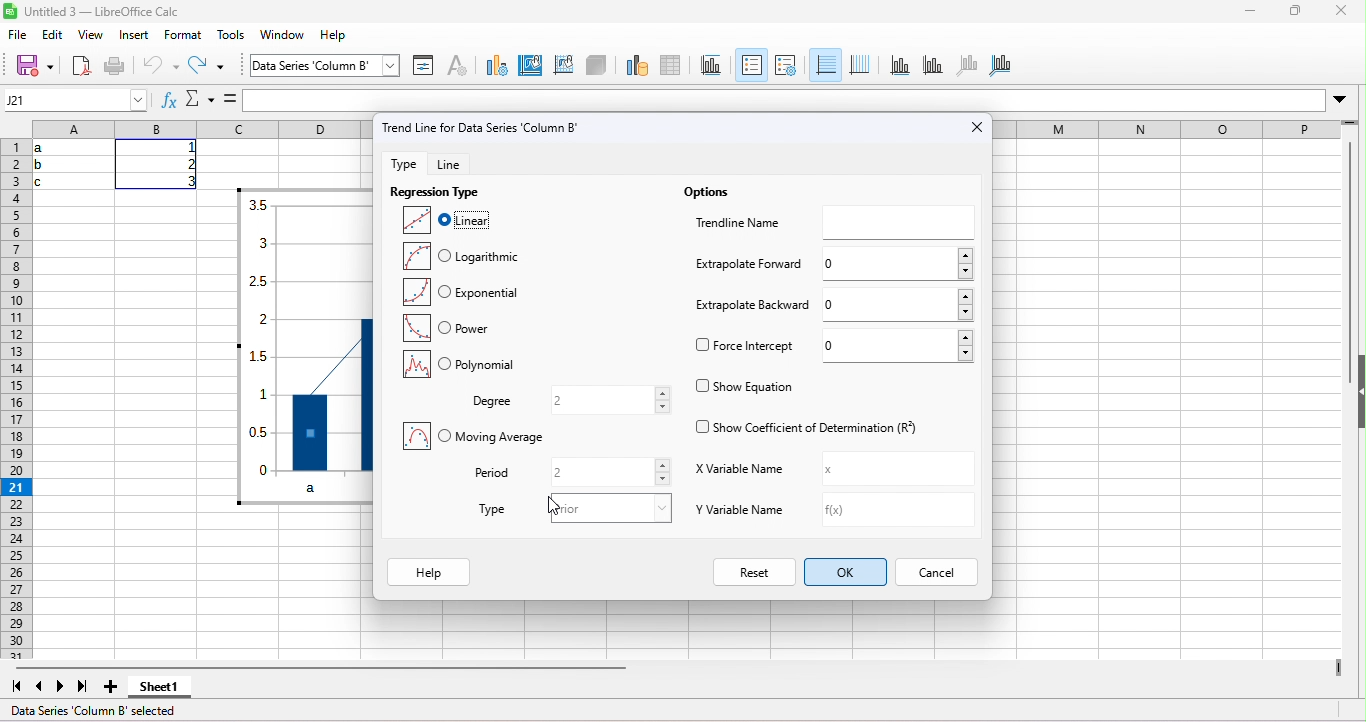 The image size is (1366, 722). What do you see at coordinates (324, 431) in the screenshot?
I see `data point1` at bounding box center [324, 431].